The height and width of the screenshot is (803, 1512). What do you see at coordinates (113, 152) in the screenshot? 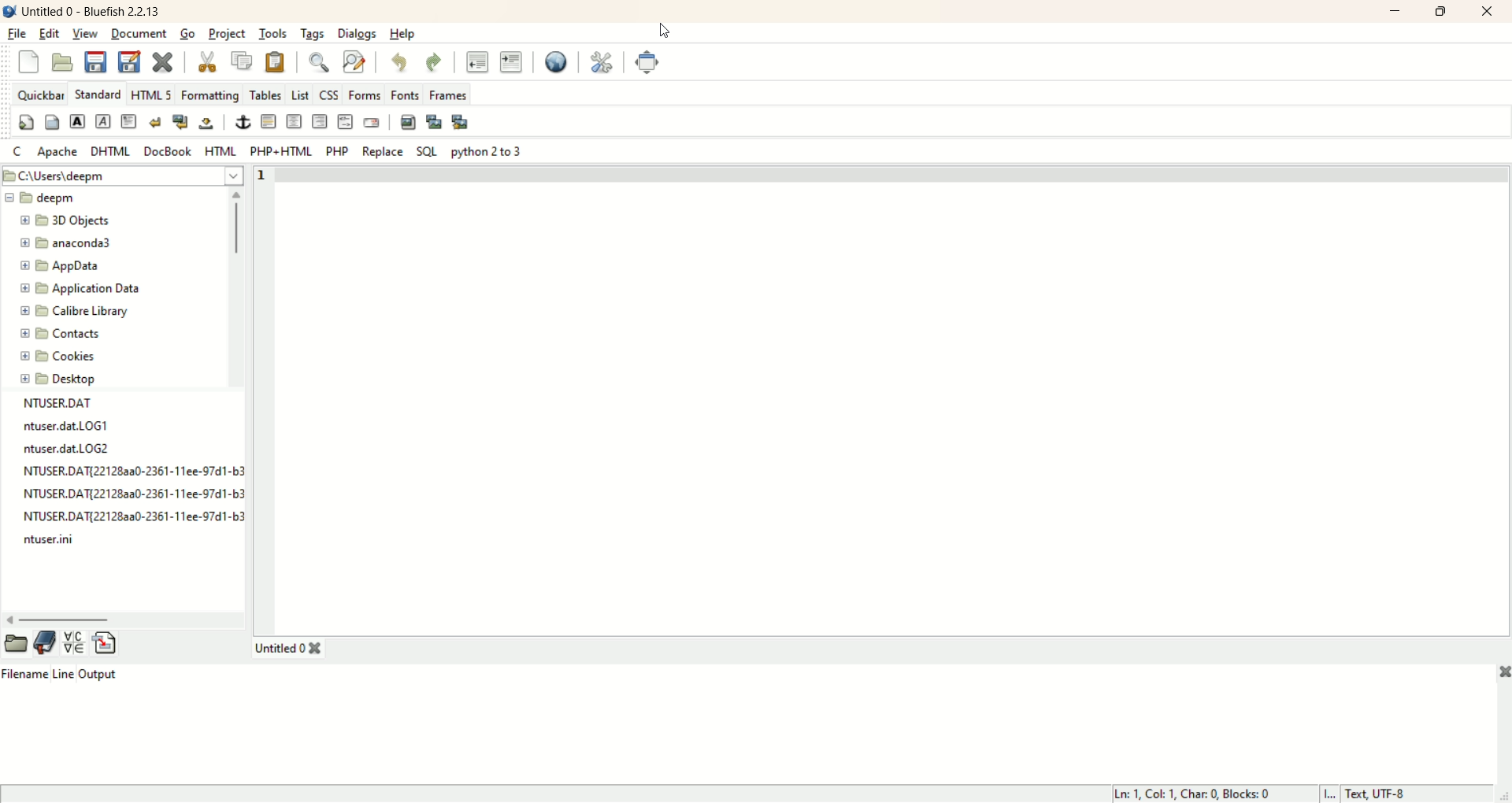
I see `DHTML` at bounding box center [113, 152].